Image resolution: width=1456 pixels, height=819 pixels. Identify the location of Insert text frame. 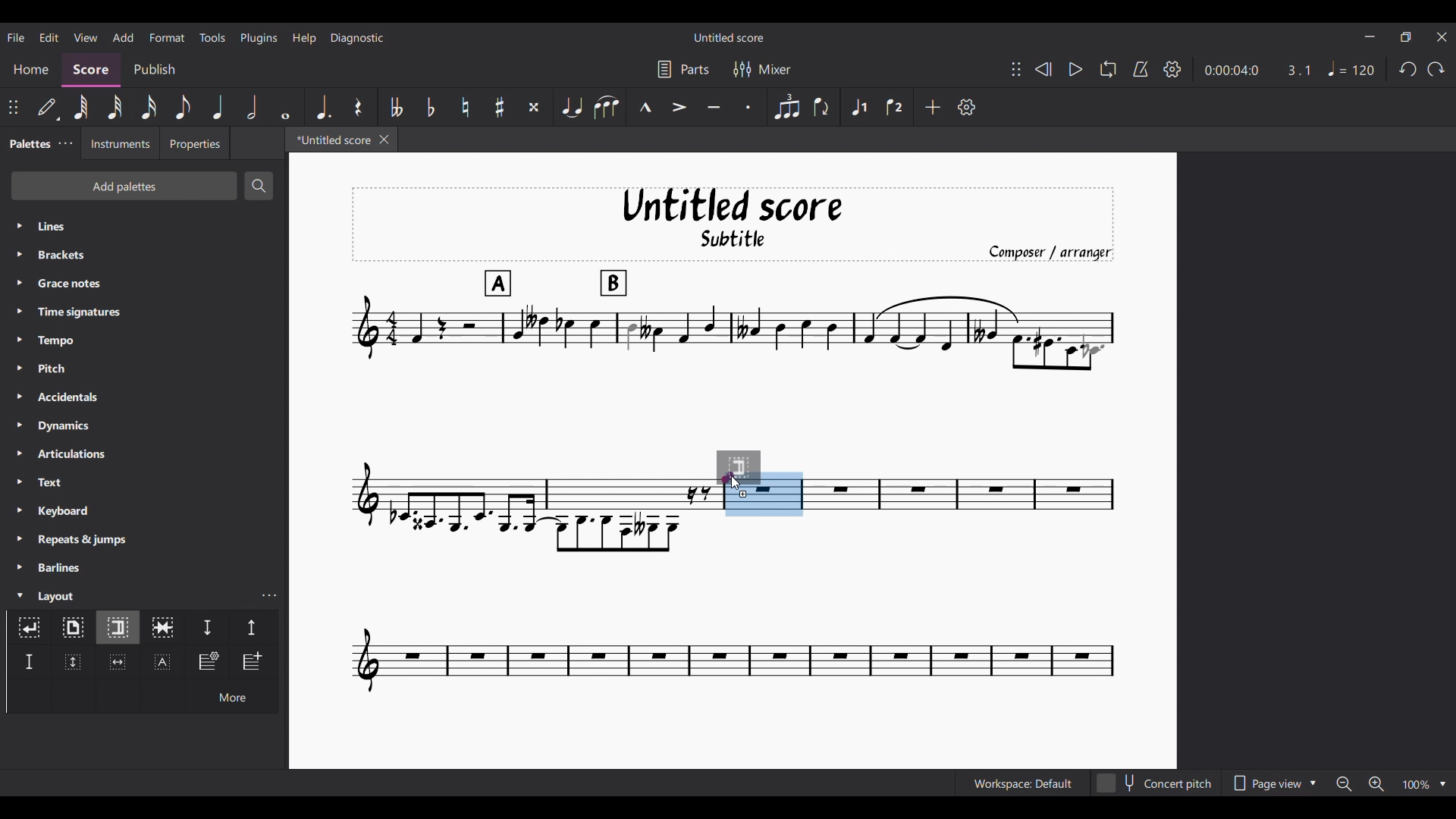
(163, 661).